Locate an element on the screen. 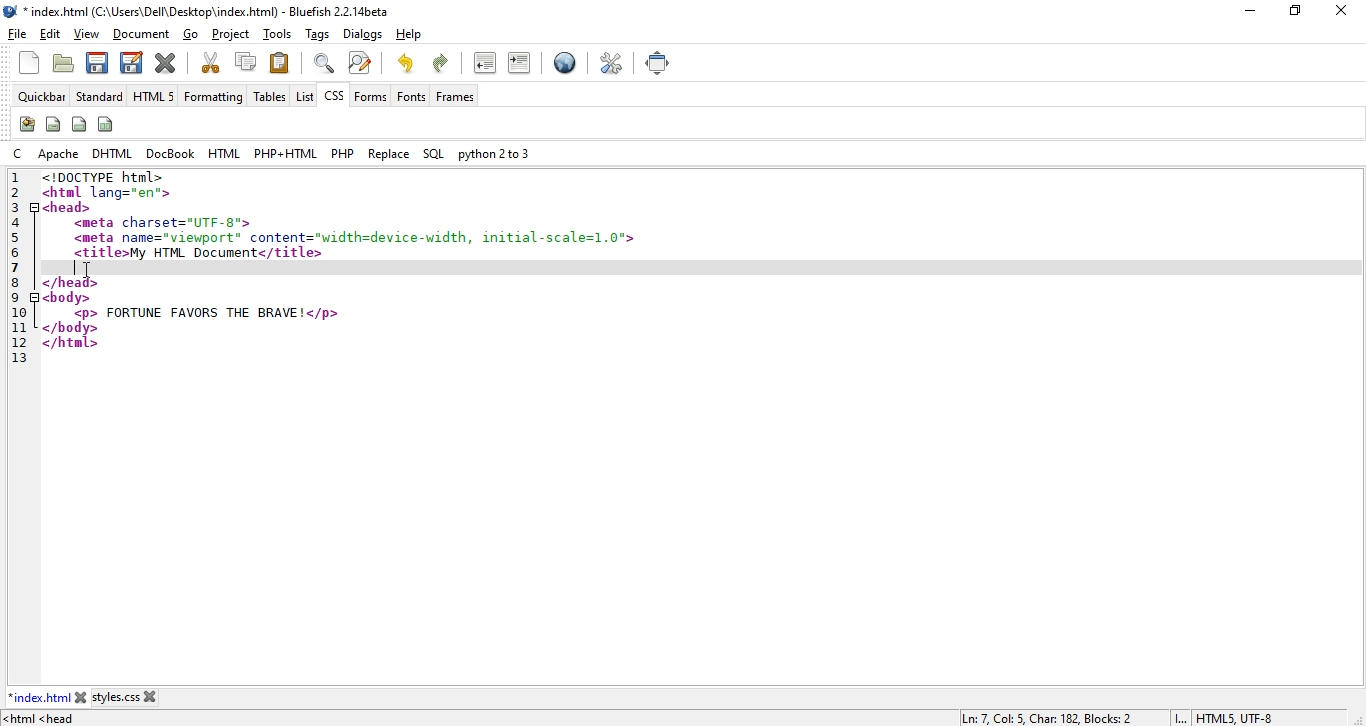  html is located at coordinates (225, 153).